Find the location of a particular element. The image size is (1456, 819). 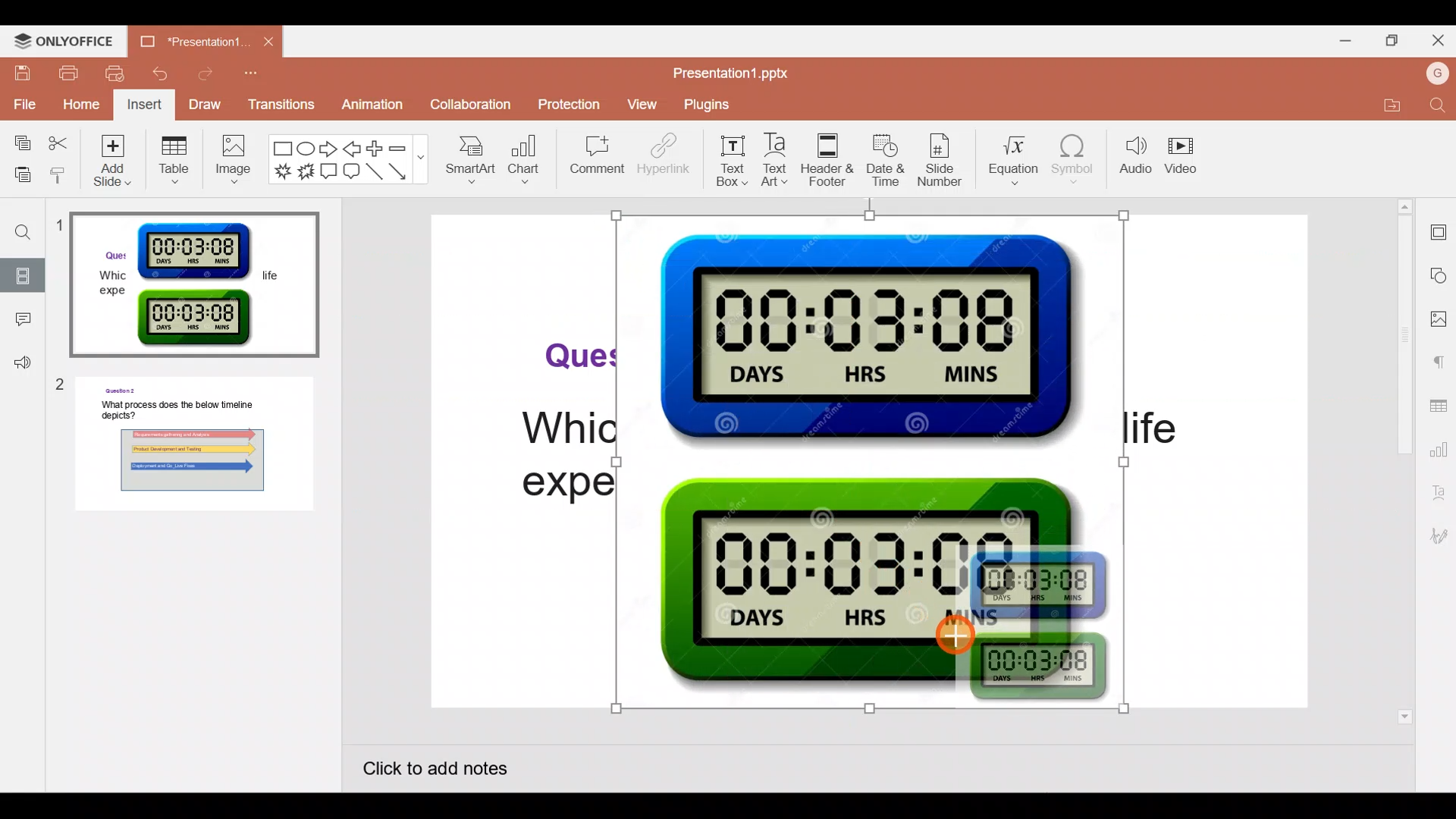

Shape settings is located at coordinates (1439, 275).